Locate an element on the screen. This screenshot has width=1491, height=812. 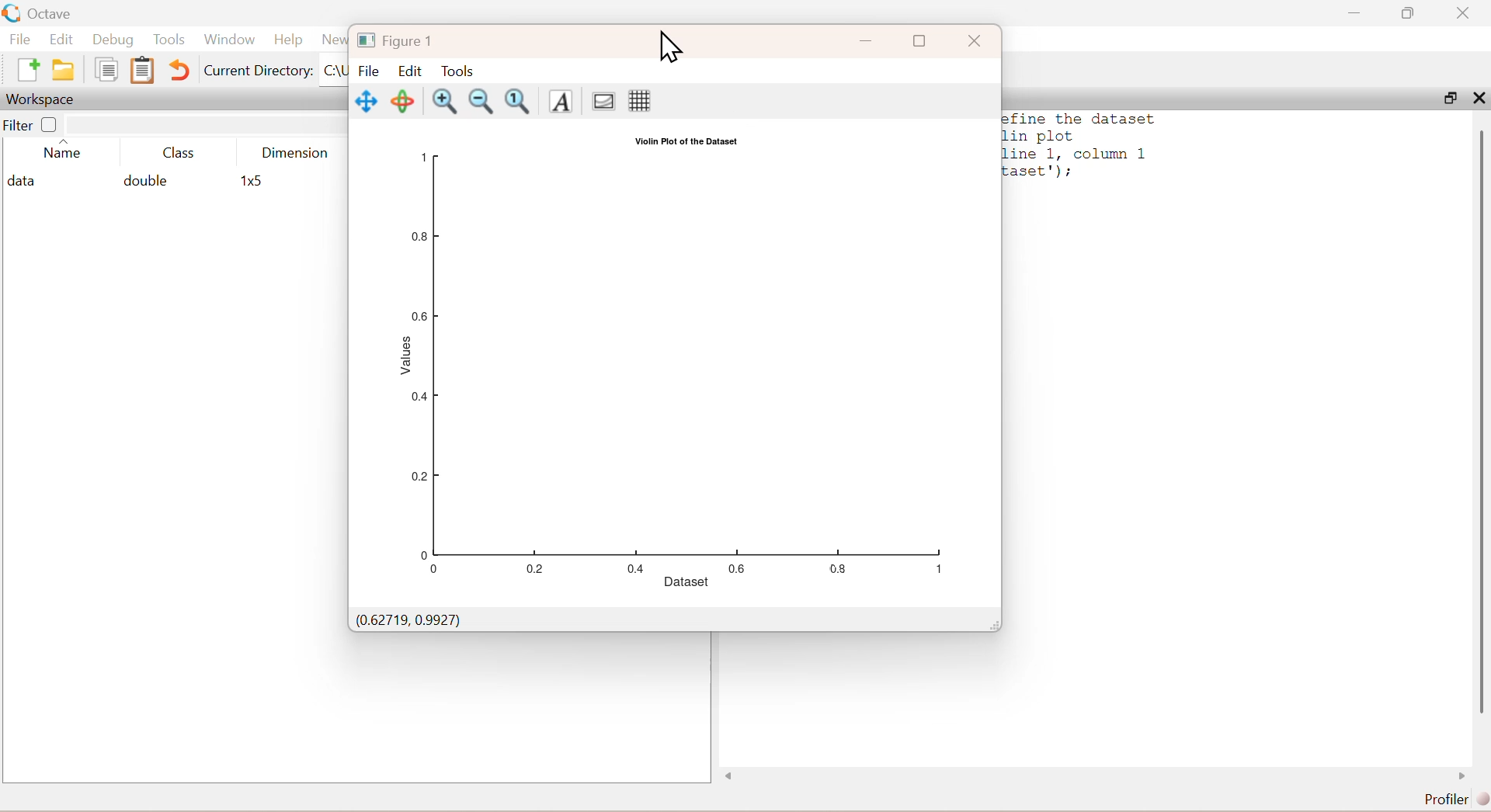
toggle graph grid view is located at coordinates (641, 102).